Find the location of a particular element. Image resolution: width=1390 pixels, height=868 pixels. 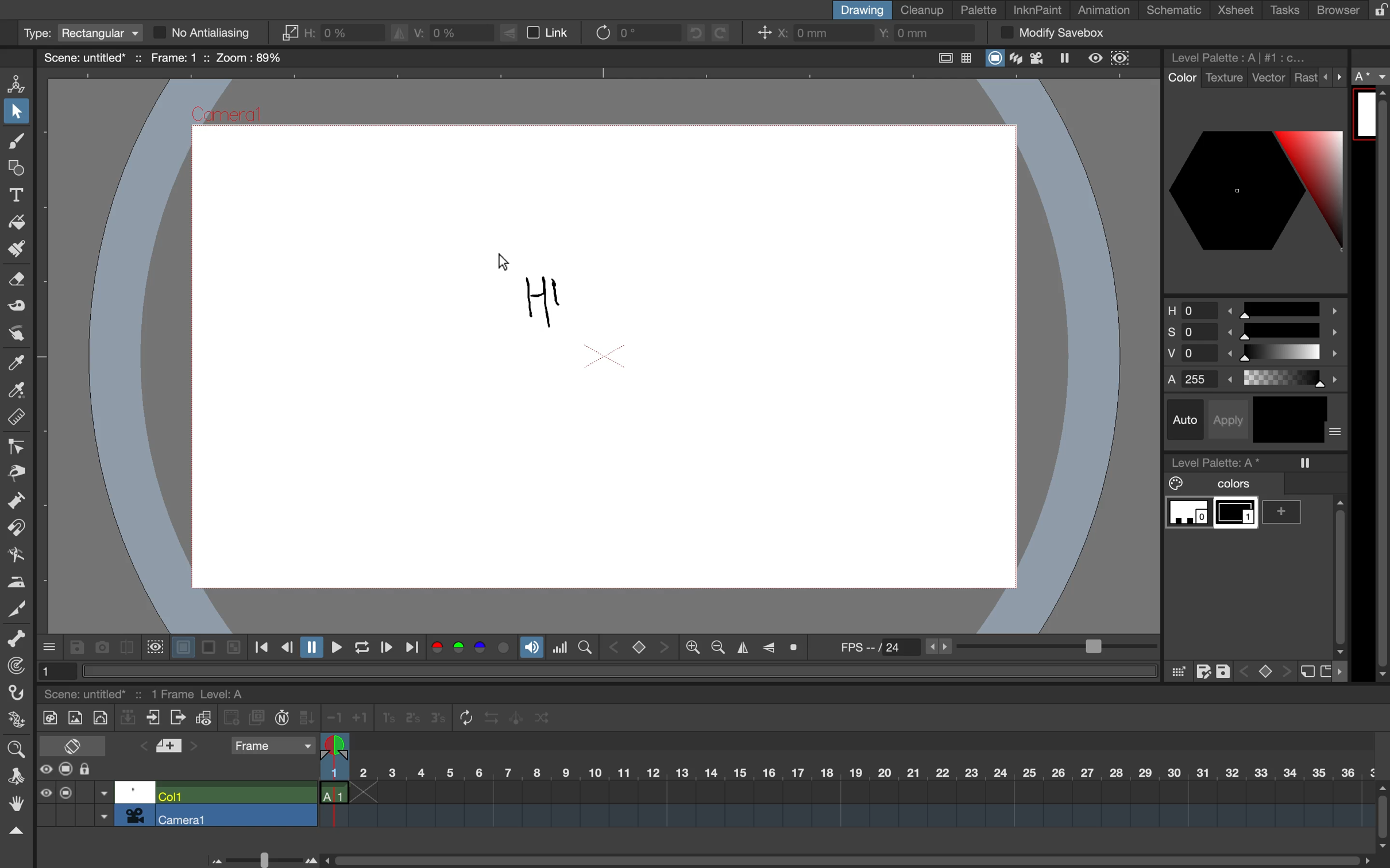

palette is located at coordinates (979, 10).